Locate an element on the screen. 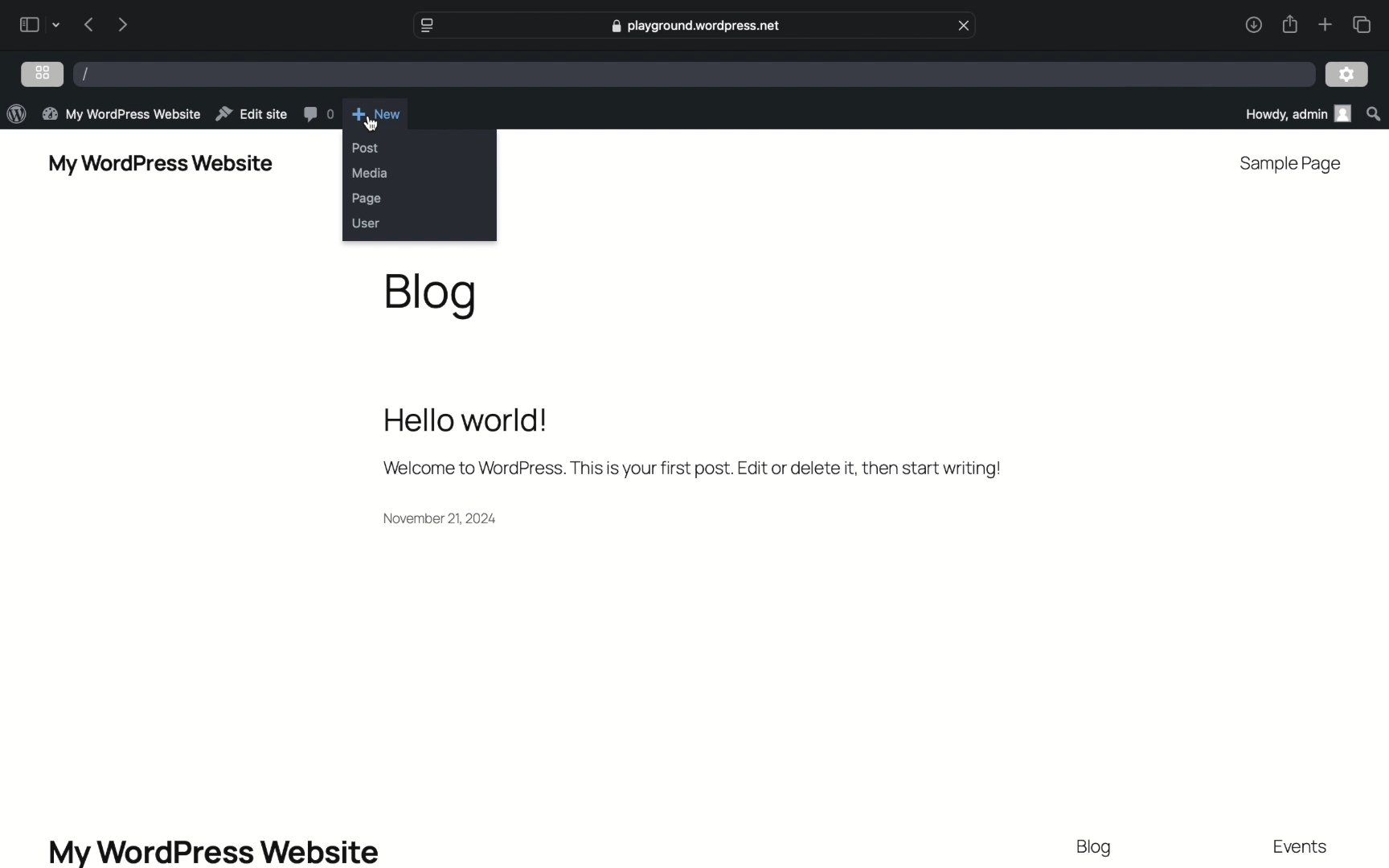 Image resolution: width=1389 pixels, height=868 pixels. grid  view is located at coordinates (43, 72).